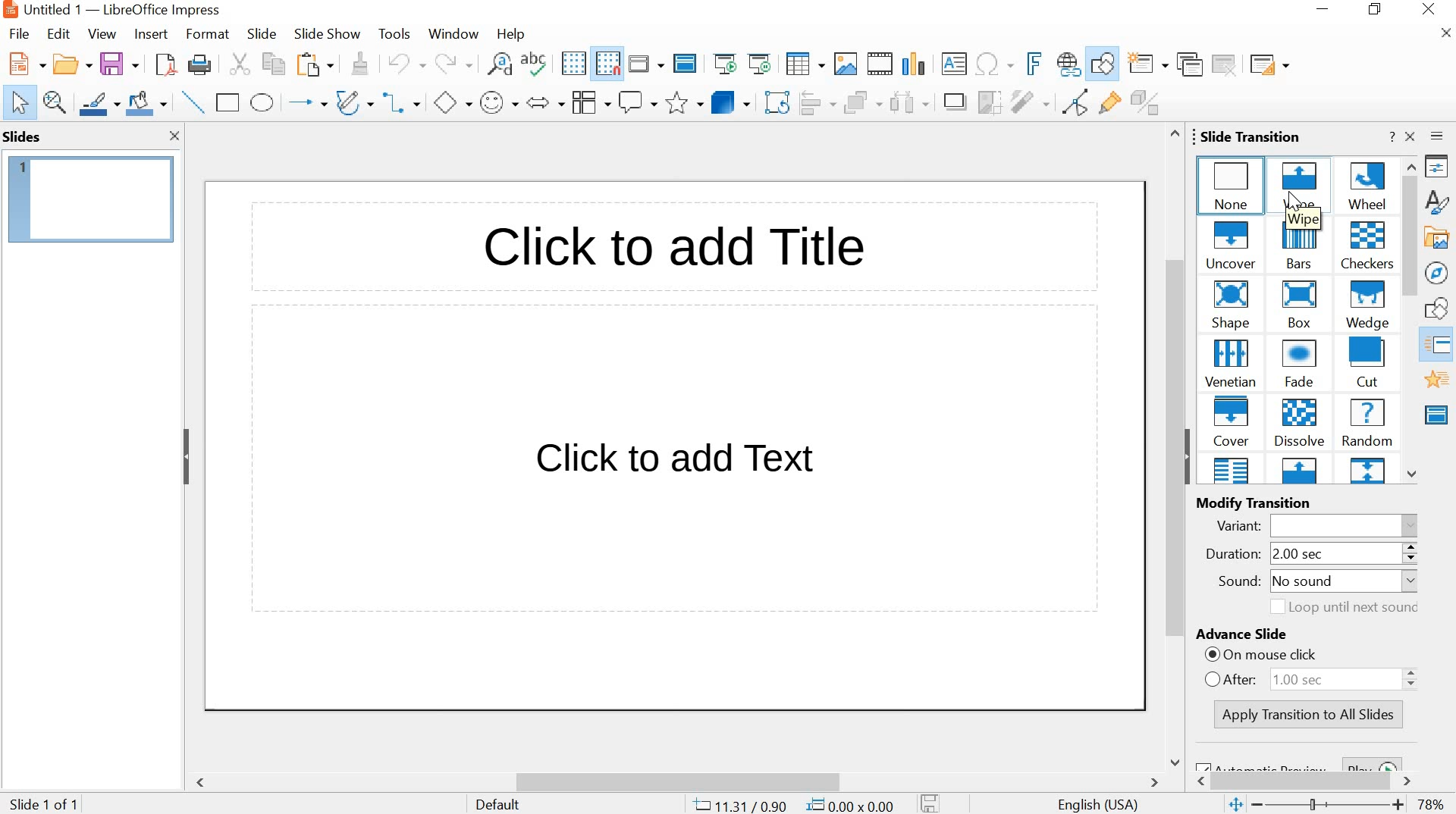 The image size is (1456, 814). Describe the element at coordinates (1300, 471) in the screenshot. I see `OTHER slide transition styles` at that location.